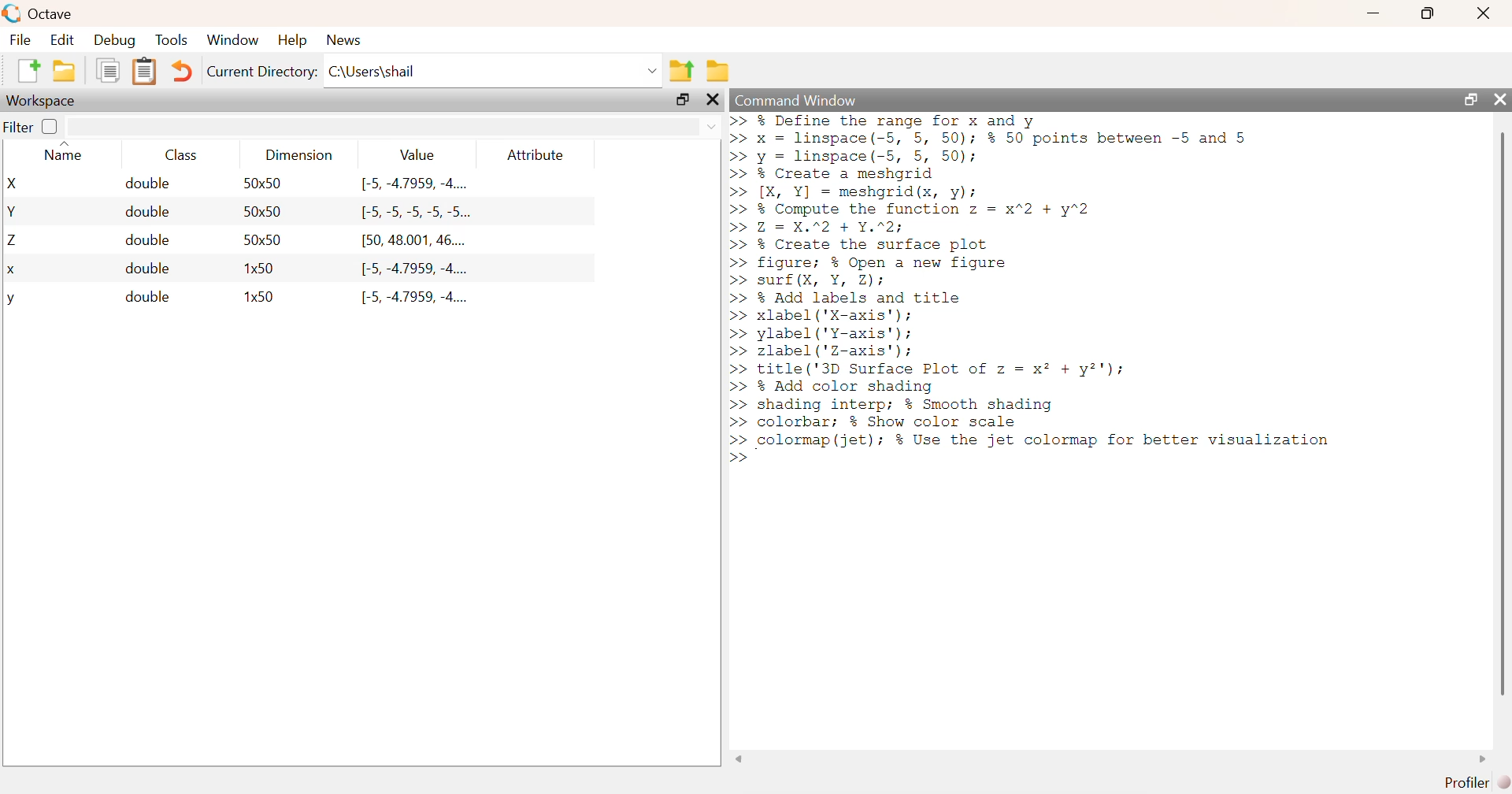  Describe the element at coordinates (739, 759) in the screenshot. I see `scroll left` at that location.